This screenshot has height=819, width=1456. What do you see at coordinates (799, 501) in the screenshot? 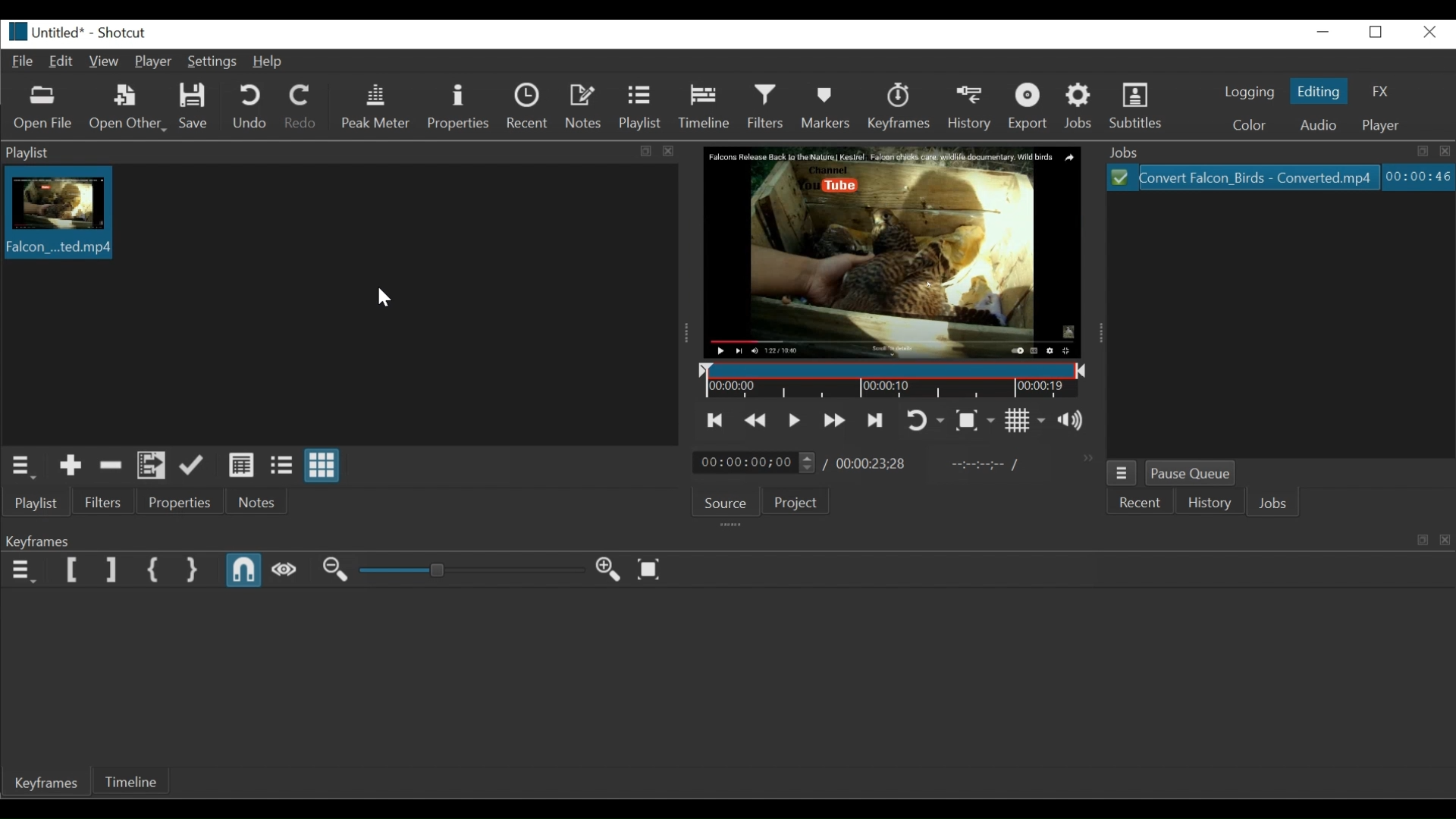
I see `Project` at bounding box center [799, 501].